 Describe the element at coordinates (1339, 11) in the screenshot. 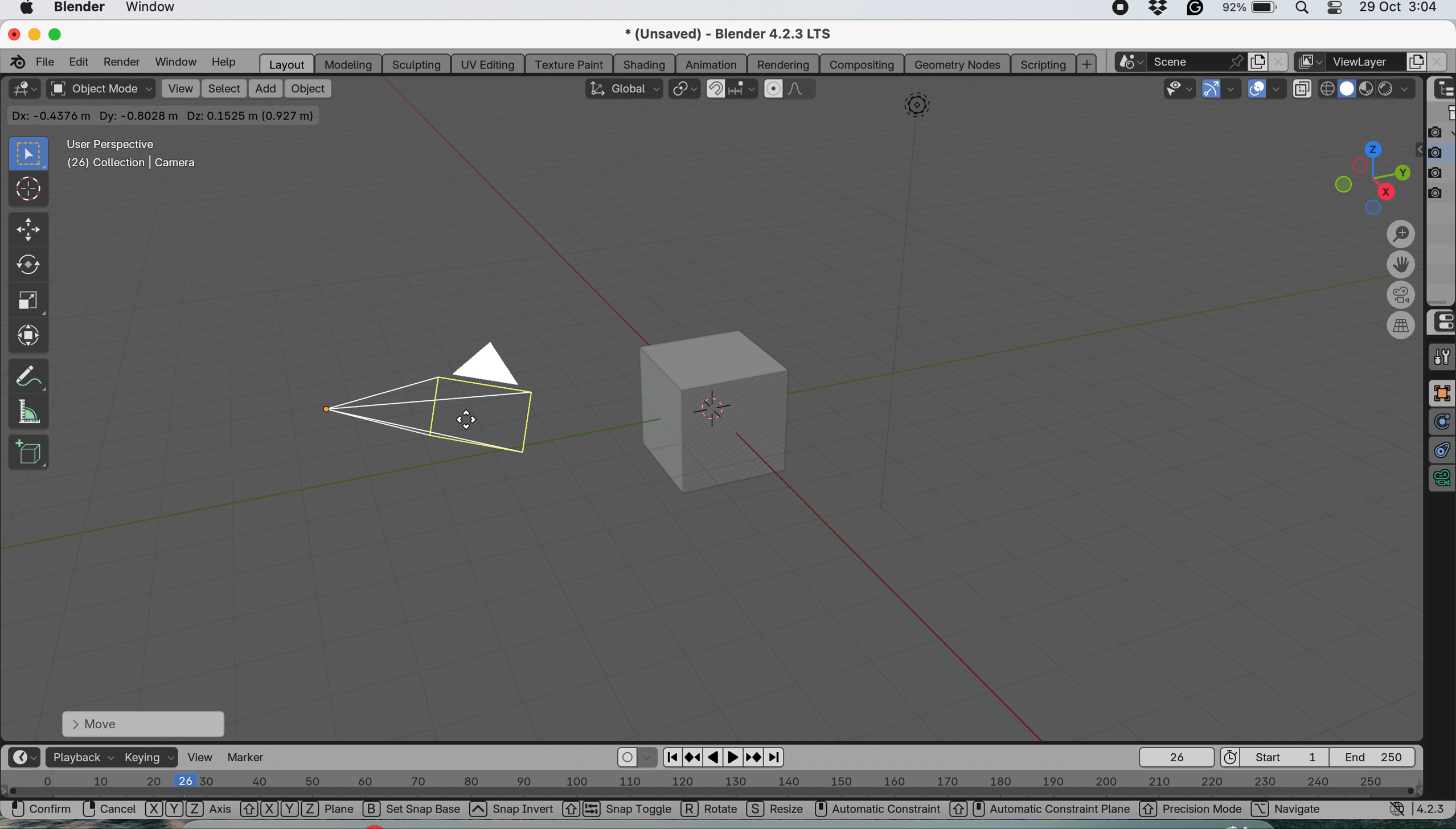

I see `control center` at that location.